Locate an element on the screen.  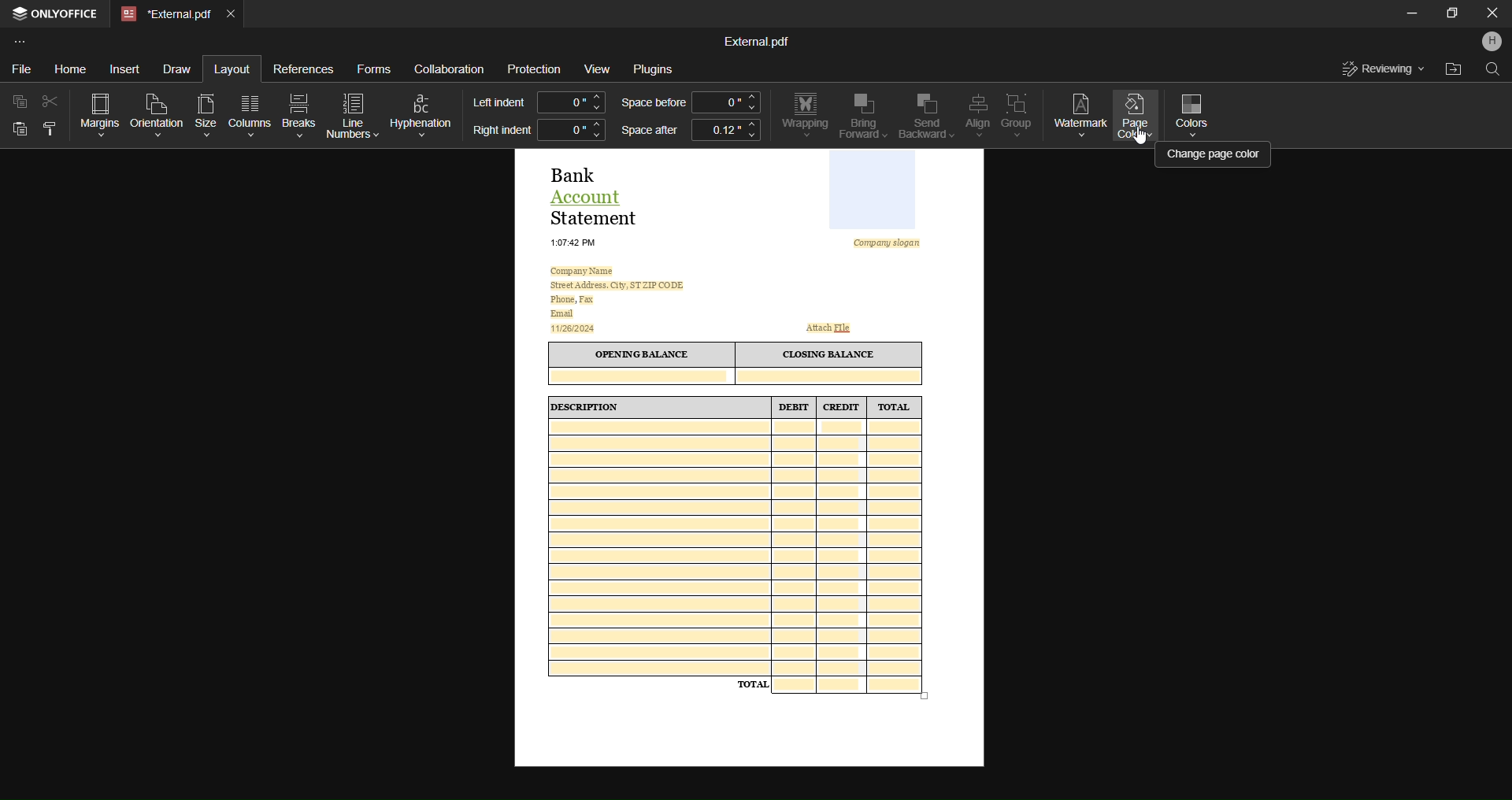
Breaks is located at coordinates (299, 115).